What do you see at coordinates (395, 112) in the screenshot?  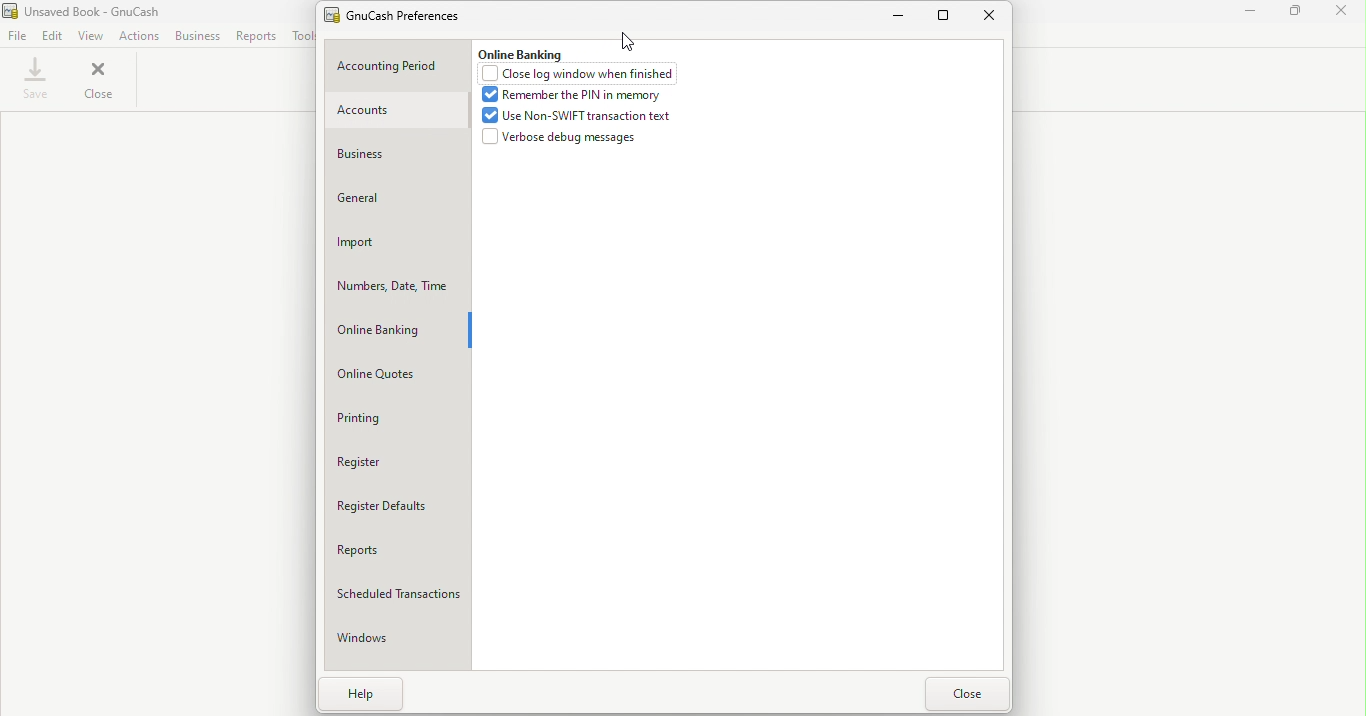 I see `Account` at bounding box center [395, 112].